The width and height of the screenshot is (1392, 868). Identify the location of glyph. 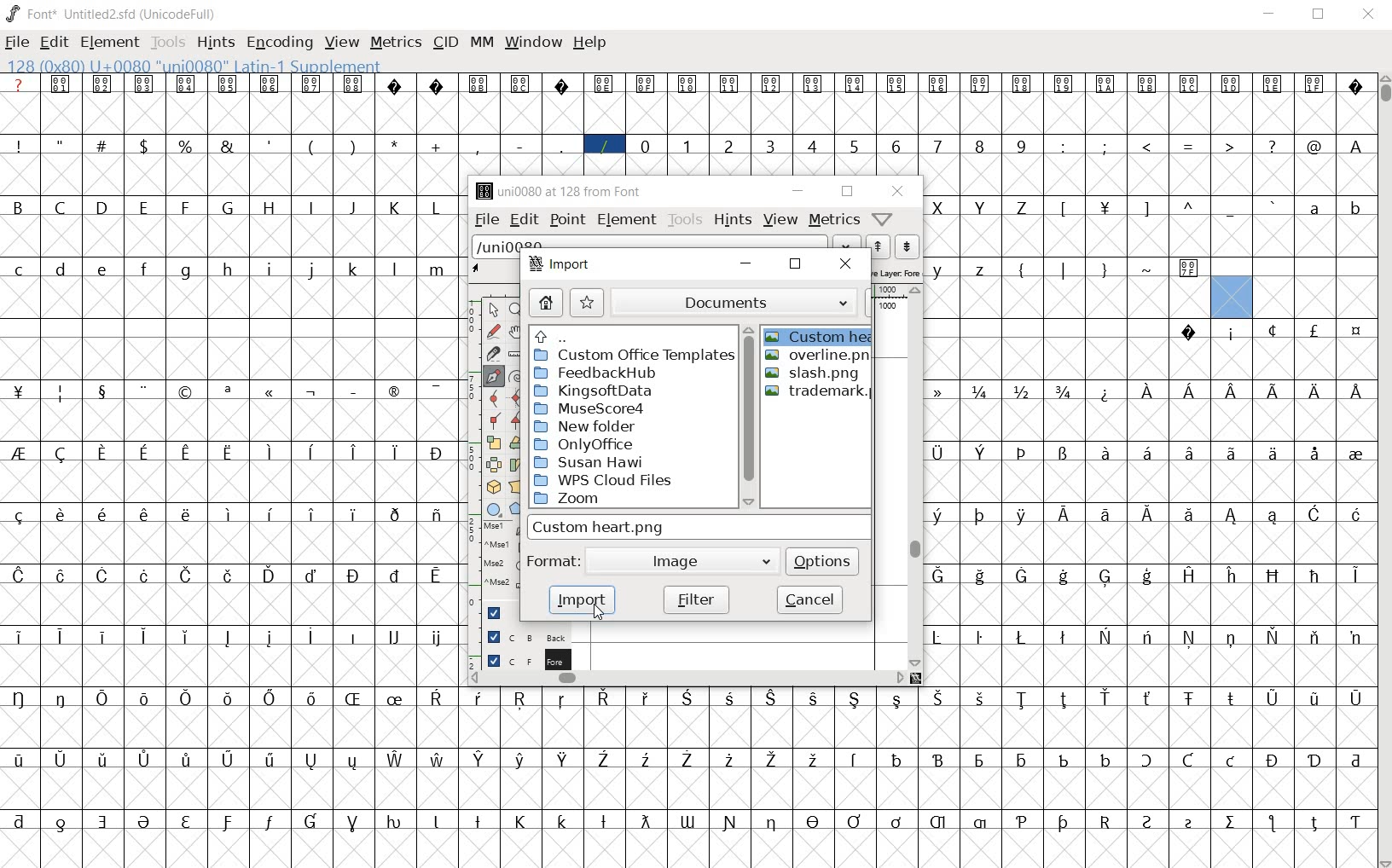
(1273, 84).